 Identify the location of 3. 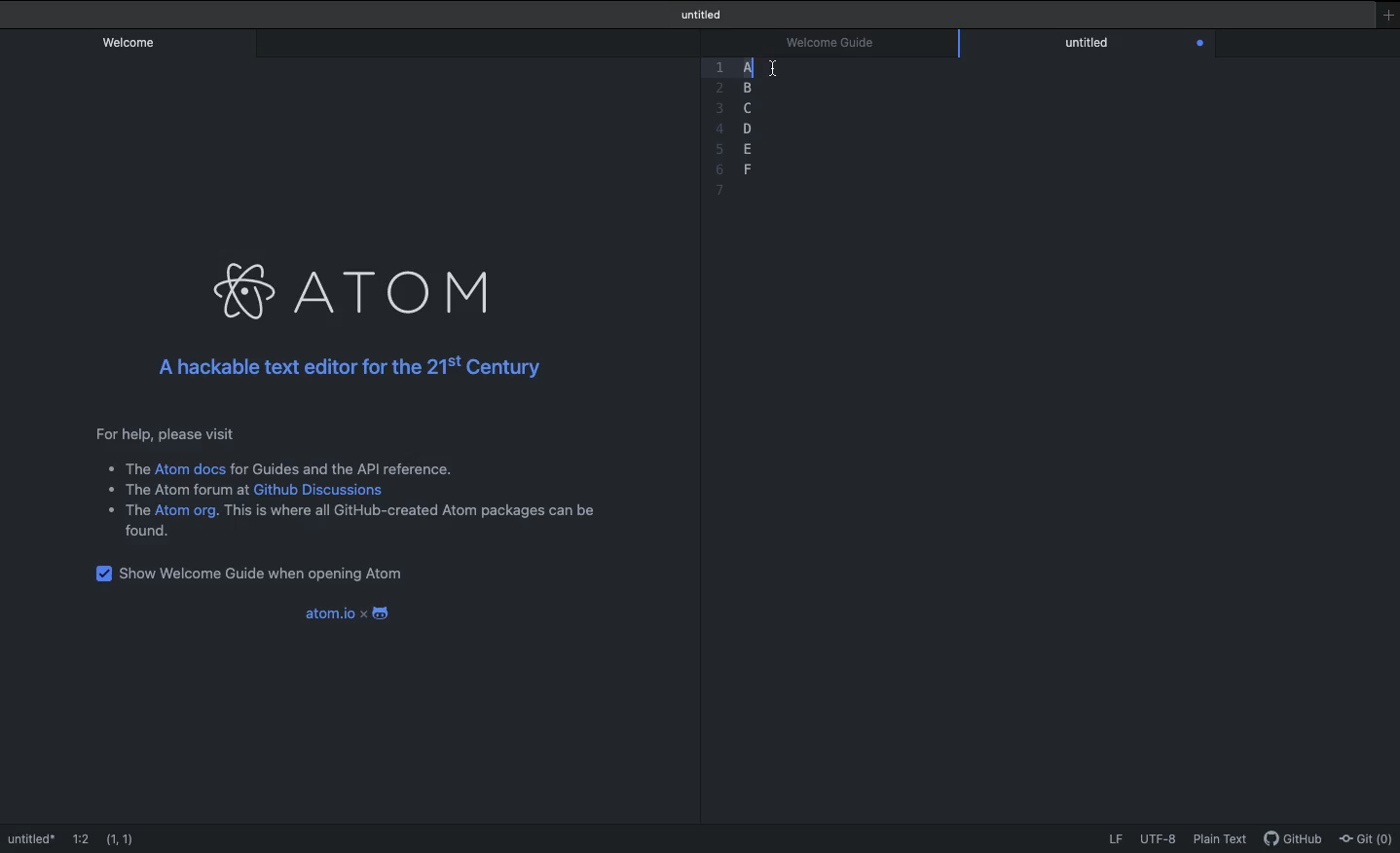
(718, 108).